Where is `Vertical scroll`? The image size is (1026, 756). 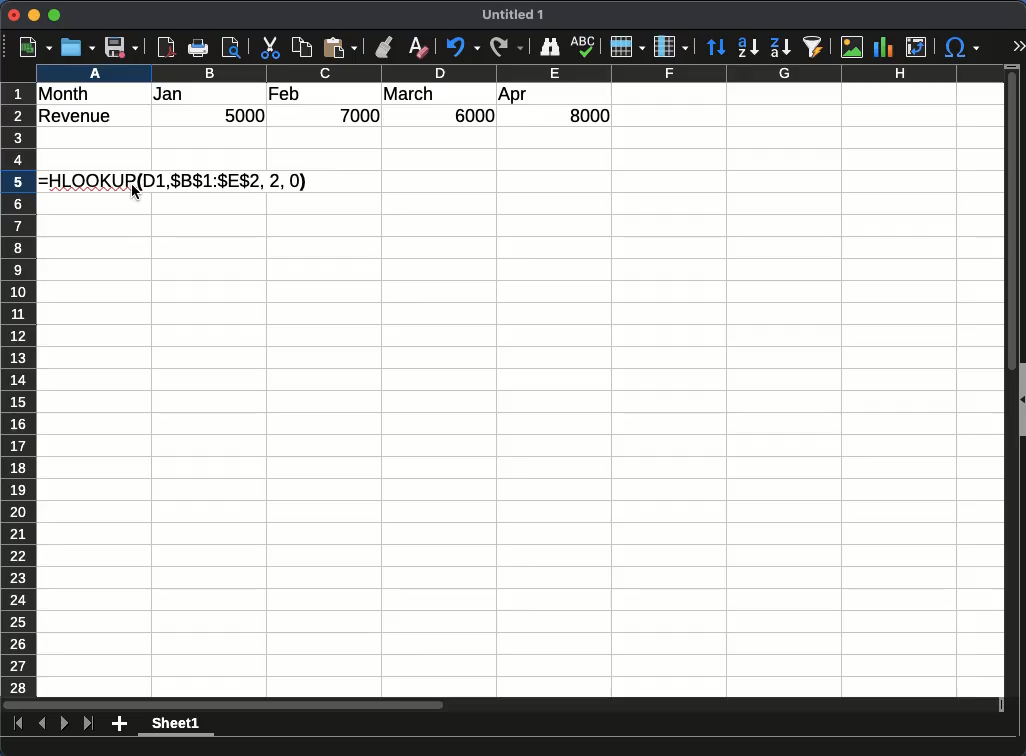
Vertical scroll is located at coordinates (1012, 381).